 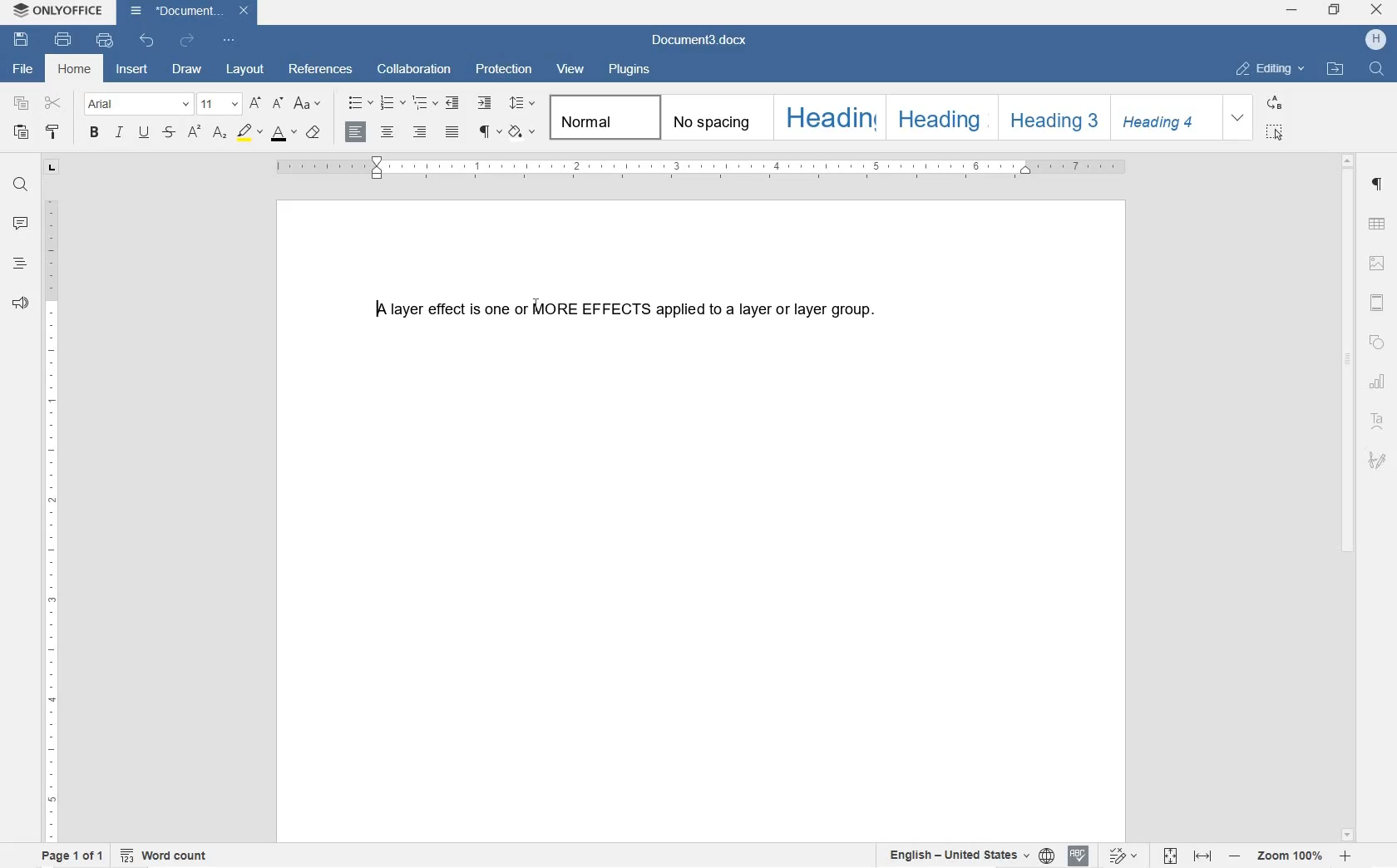 What do you see at coordinates (393, 104) in the screenshot?
I see `NUMBERING` at bounding box center [393, 104].